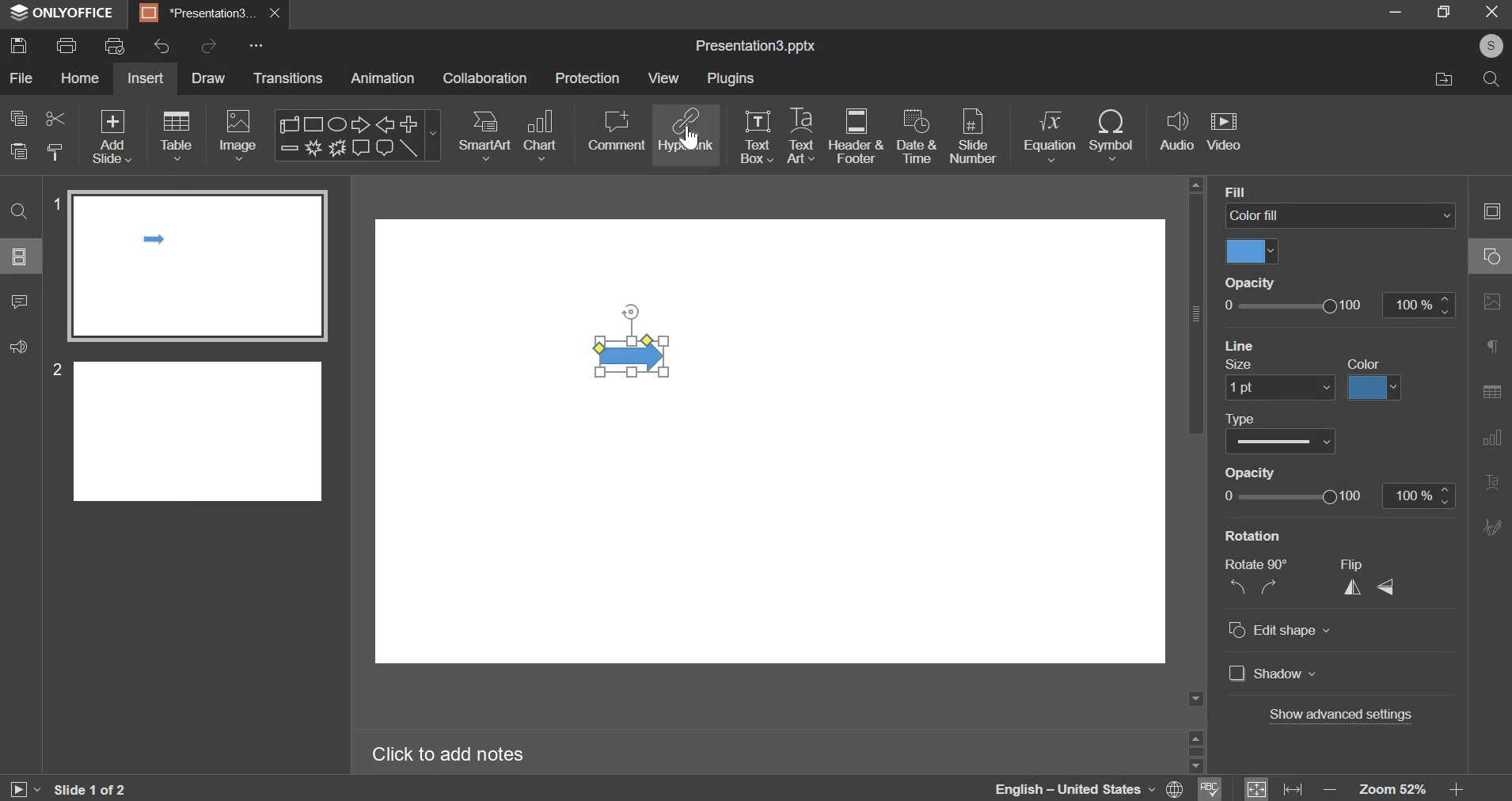 The width and height of the screenshot is (1512, 801). I want to click on slide 1 preview, so click(196, 266).